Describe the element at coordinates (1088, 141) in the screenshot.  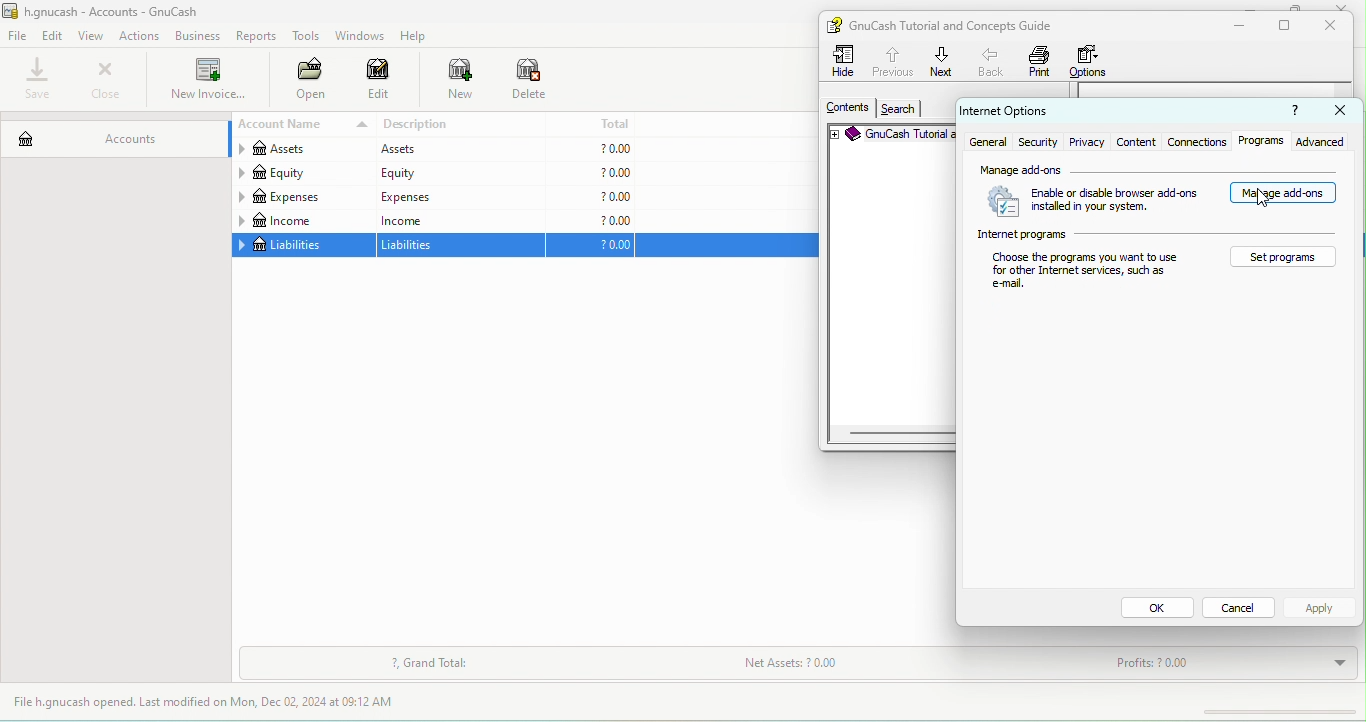
I see `privacy` at that location.